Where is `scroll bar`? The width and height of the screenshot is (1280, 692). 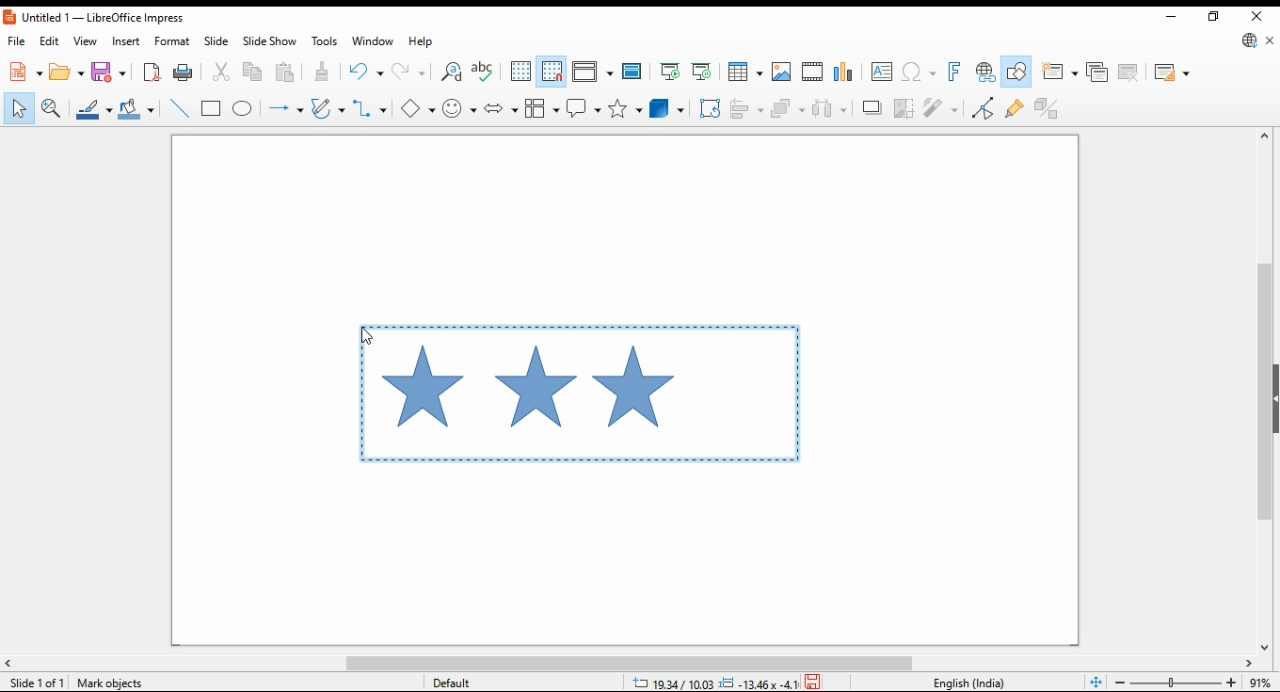
scroll bar is located at coordinates (1264, 389).